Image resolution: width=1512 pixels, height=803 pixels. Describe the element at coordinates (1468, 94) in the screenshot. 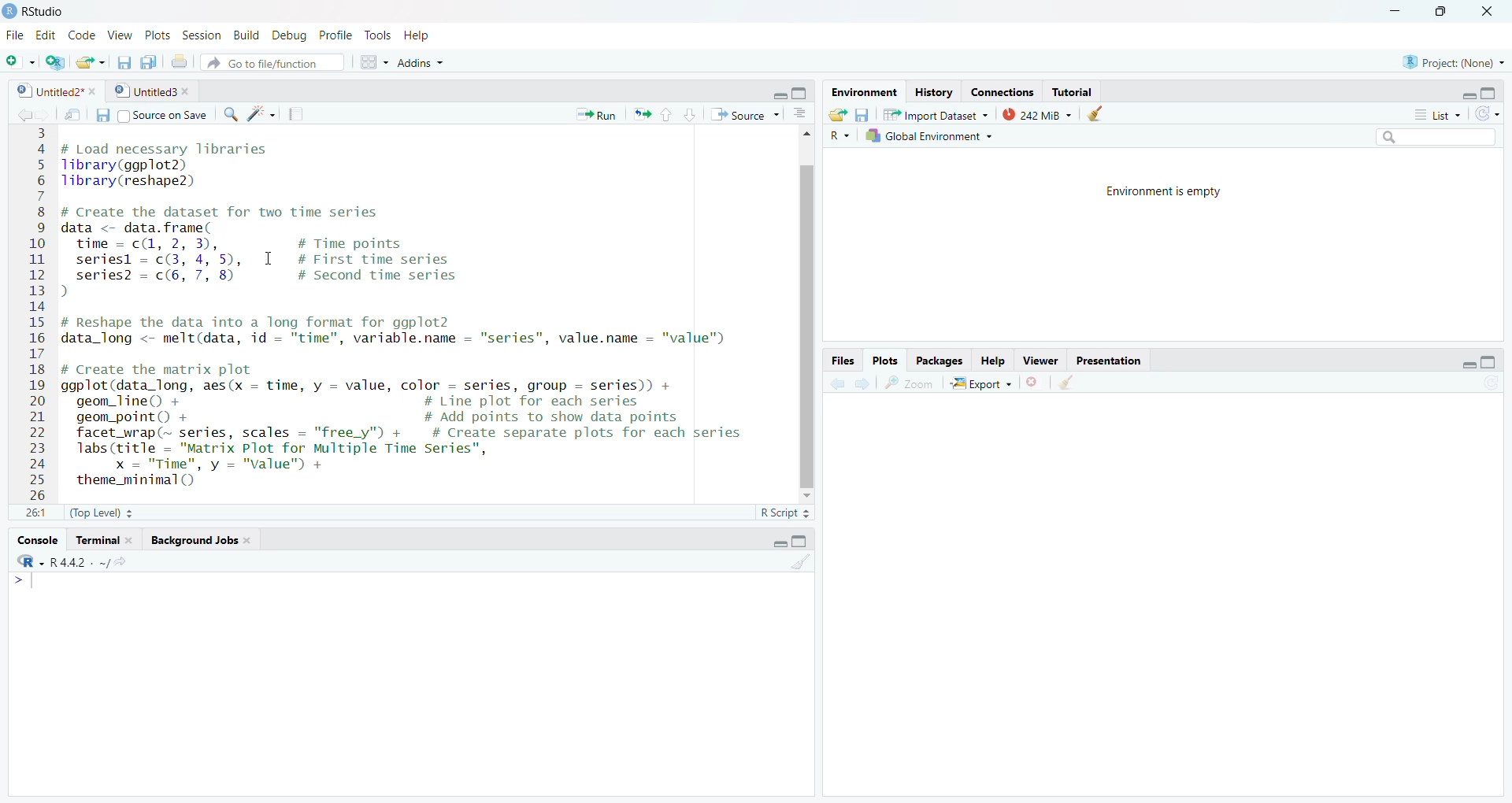

I see `minimize` at that location.